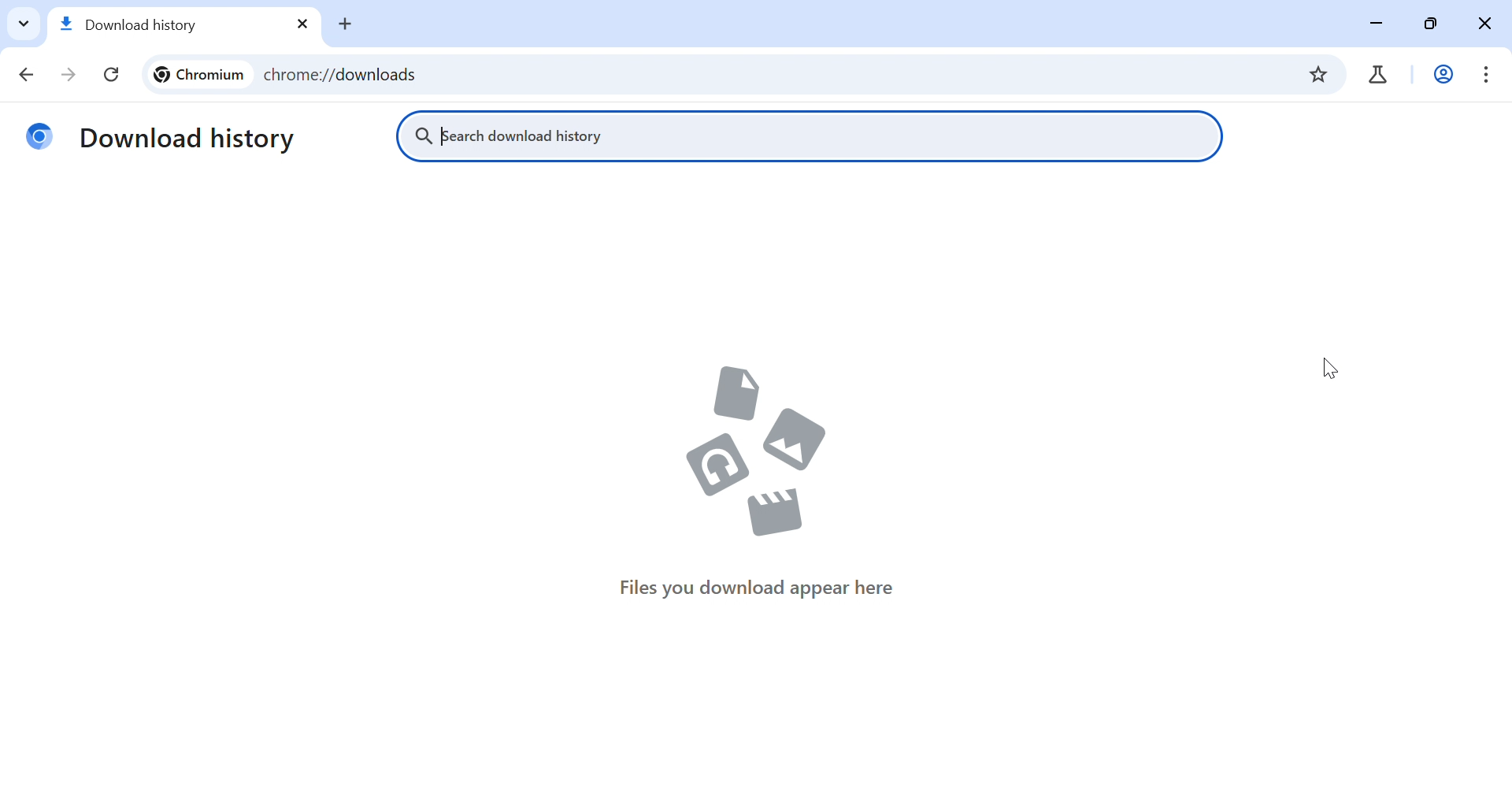 Image resolution: width=1512 pixels, height=794 pixels. Describe the element at coordinates (39, 139) in the screenshot. I see `Chromium icon` at that location.